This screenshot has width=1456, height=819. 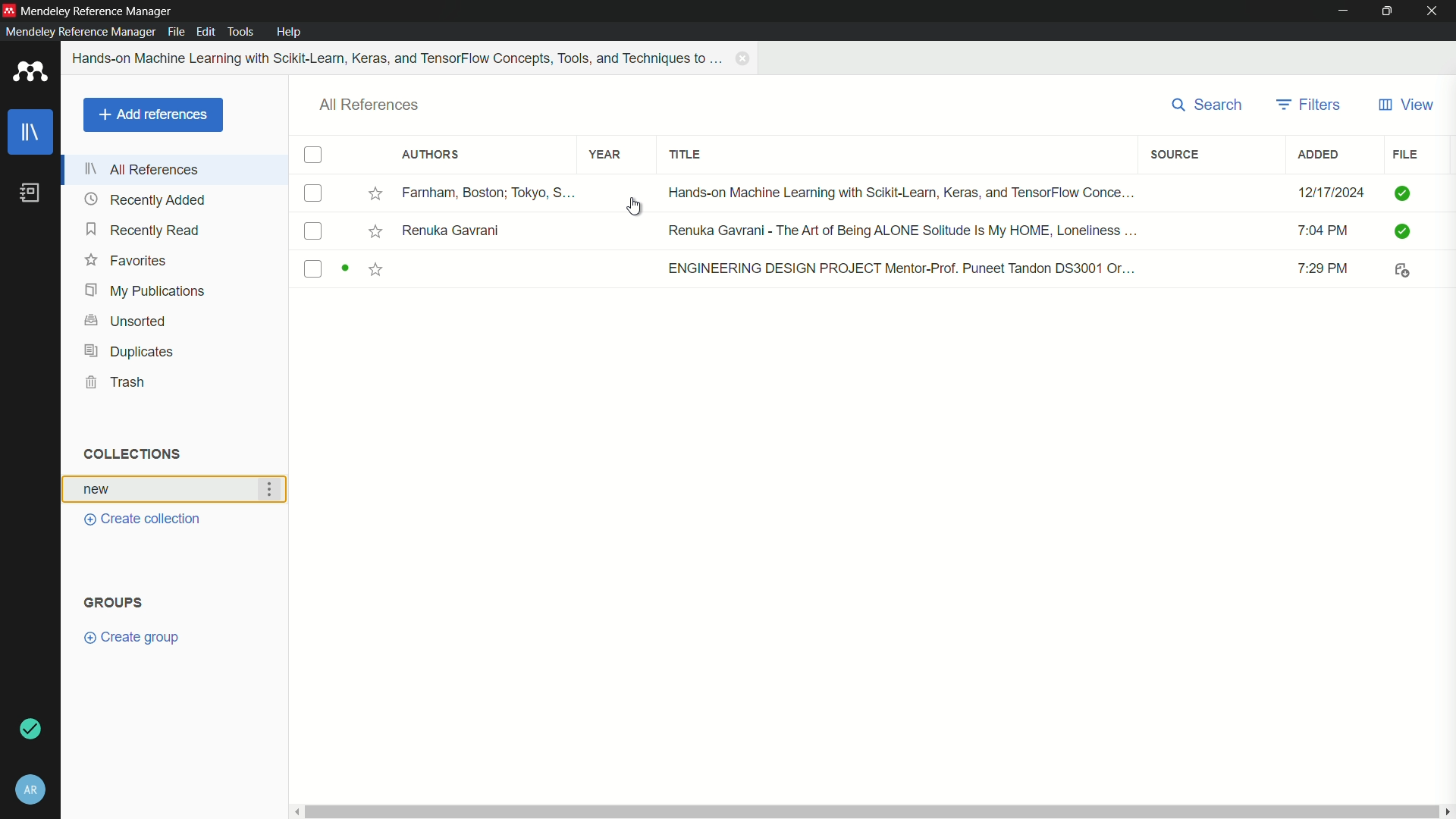 What do you see at coordinates (290, 32) in the screenshot?
I see `help menu` at bounding box center [290, 32].